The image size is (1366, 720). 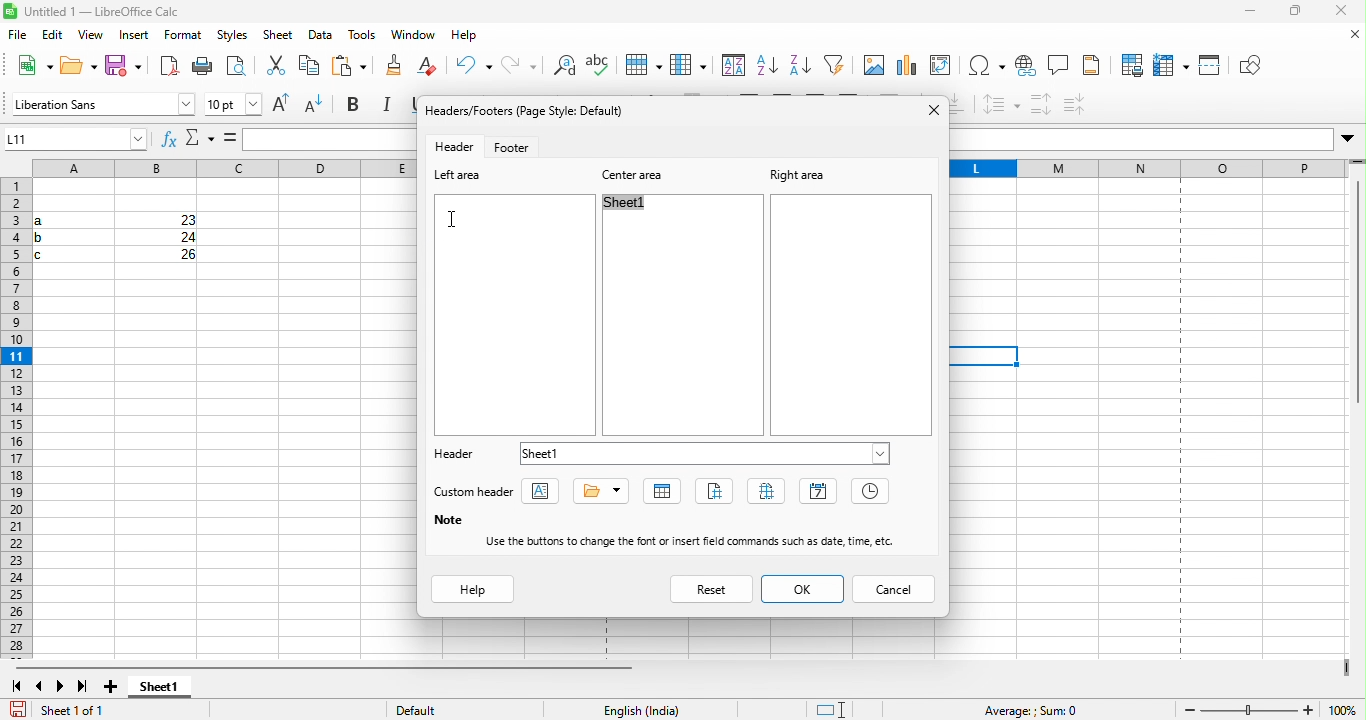 What do you see at coordinates (561, 69) in the screenshot?
I see `spelling` at bounding box center [561, 69].